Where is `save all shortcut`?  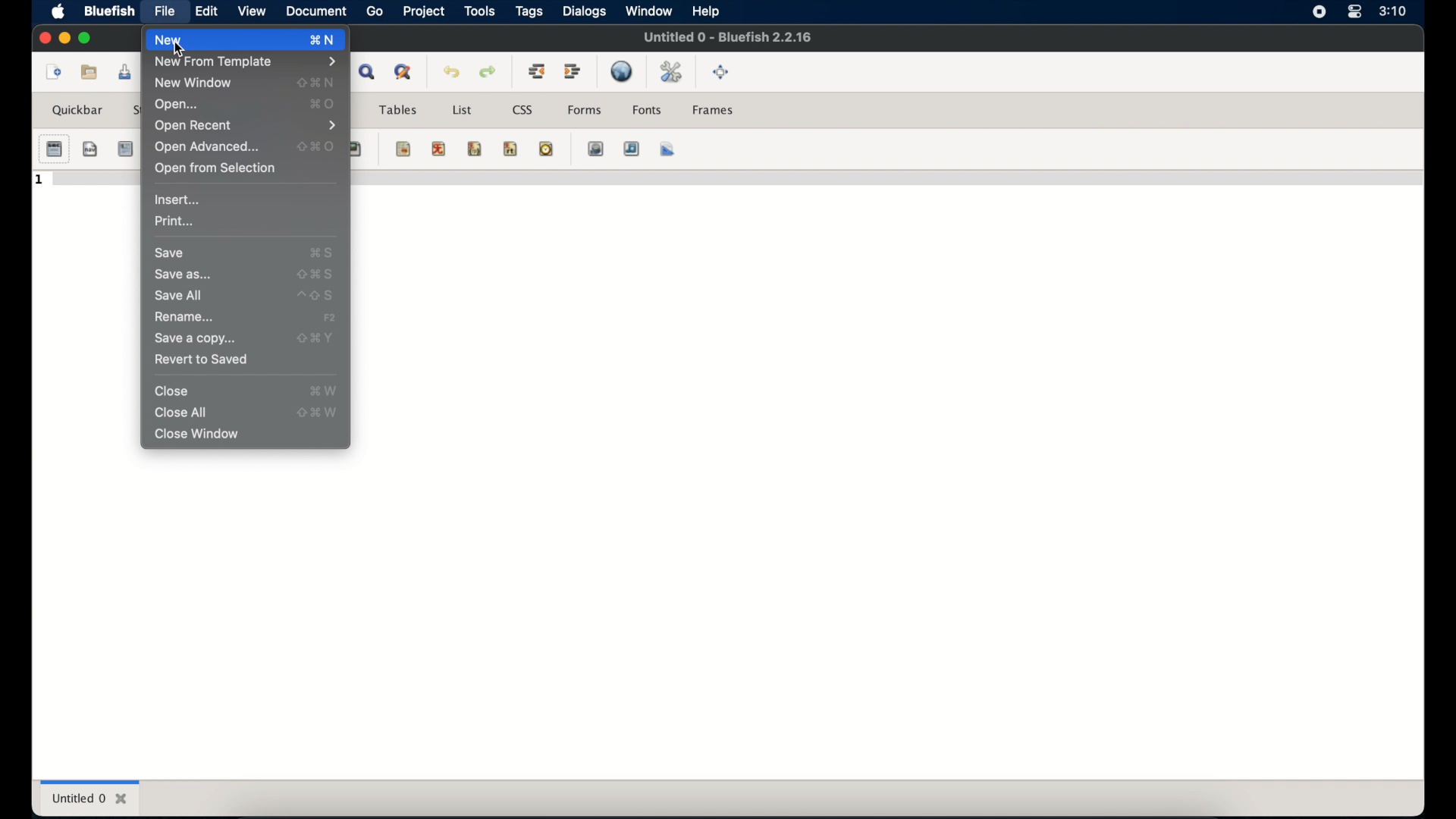
save all shortcut is located at coordinates (316, 296).